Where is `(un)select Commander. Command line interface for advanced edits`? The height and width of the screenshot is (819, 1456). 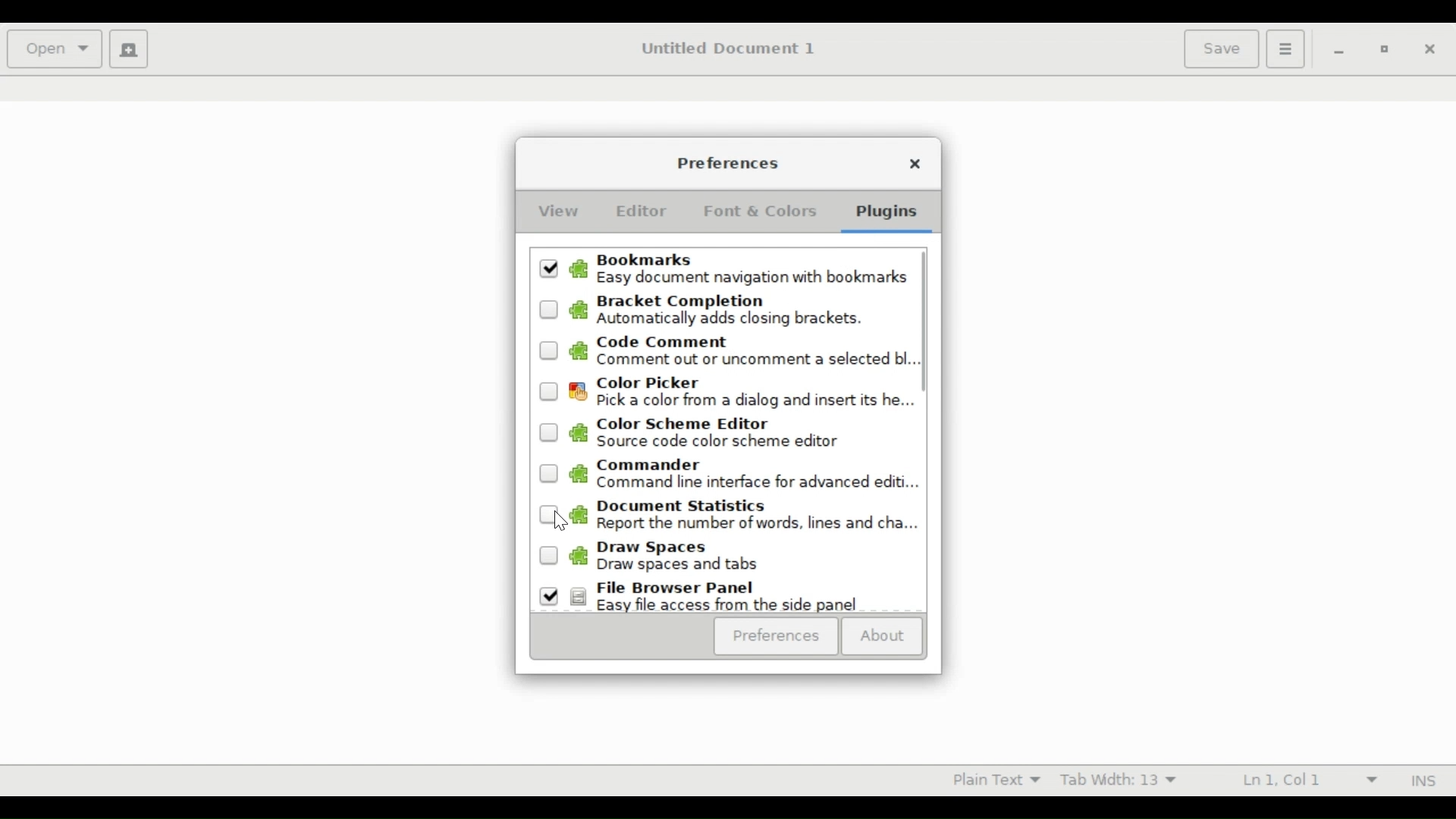 (un)select Commander. Command line interface for advanced edits is located at coordinates (742, 475).